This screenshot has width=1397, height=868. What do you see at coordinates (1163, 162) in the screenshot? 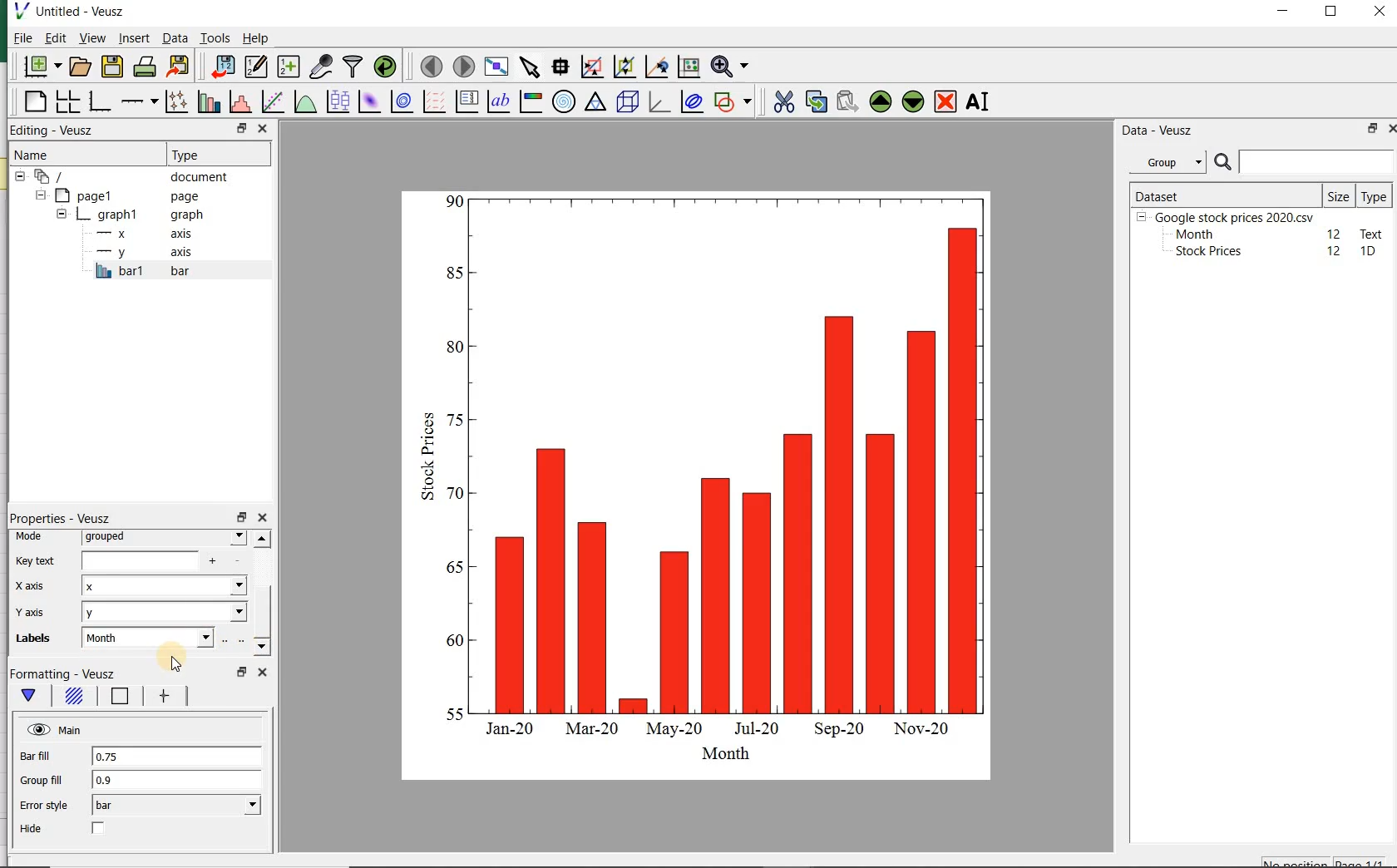
I see `Group datasets with property given` at bounding box center [1163, 162].